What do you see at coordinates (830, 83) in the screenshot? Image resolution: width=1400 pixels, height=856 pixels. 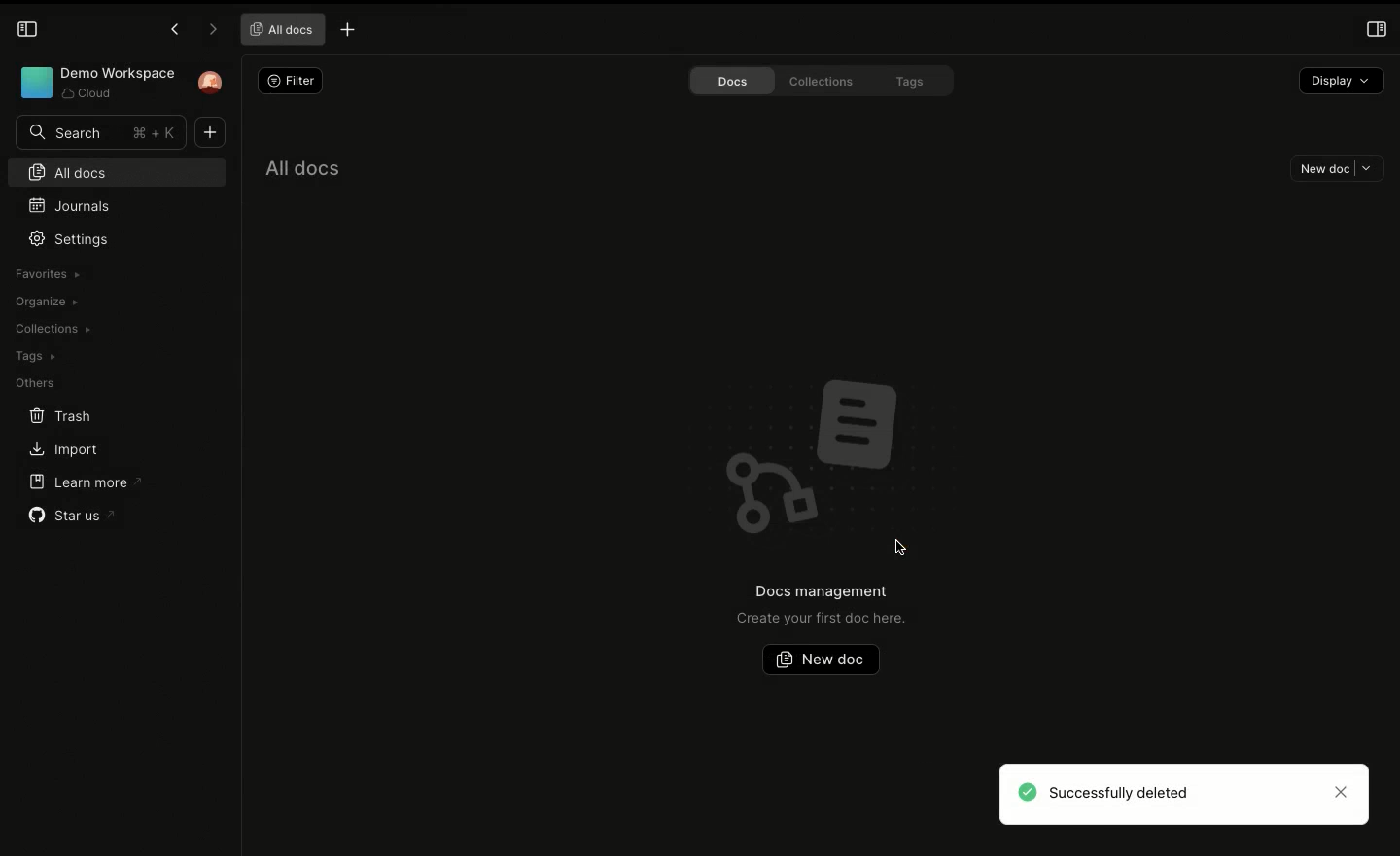 I see `Collections` at bounding box center [830, 83].